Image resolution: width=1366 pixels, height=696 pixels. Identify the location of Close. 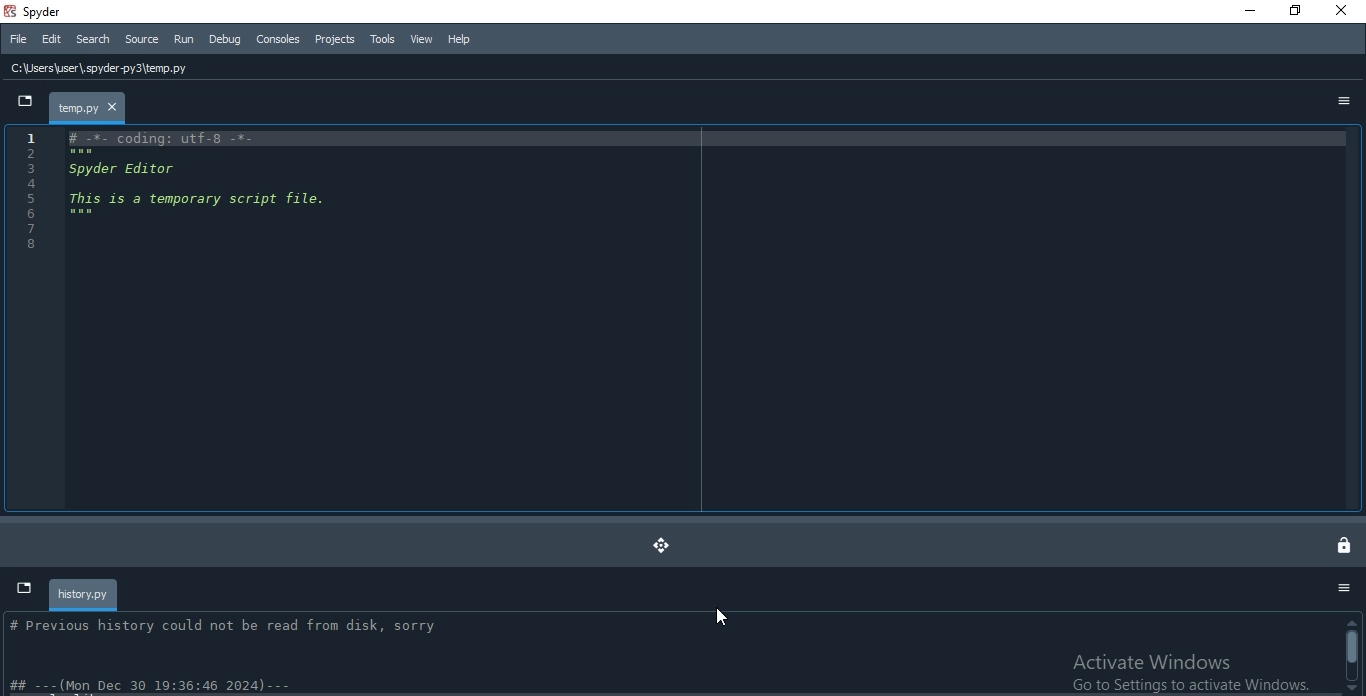
(1345, 12).